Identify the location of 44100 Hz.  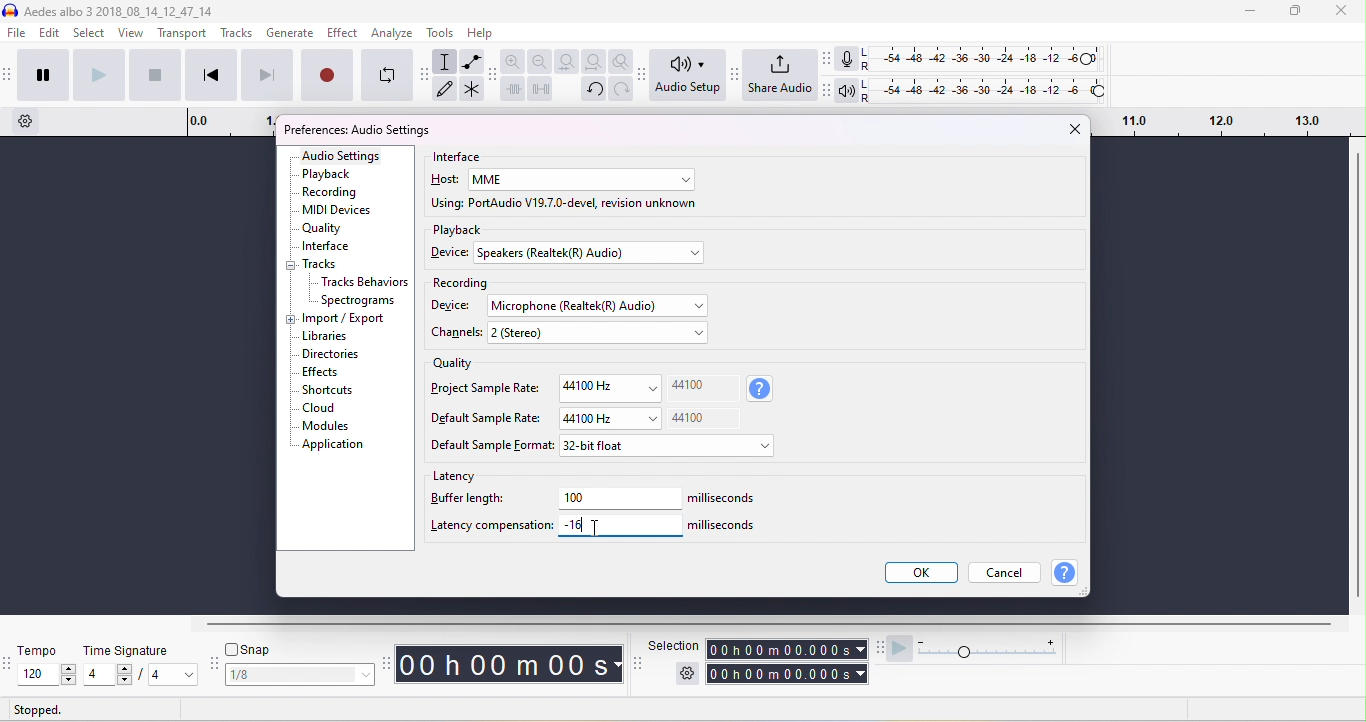
(611, 418).